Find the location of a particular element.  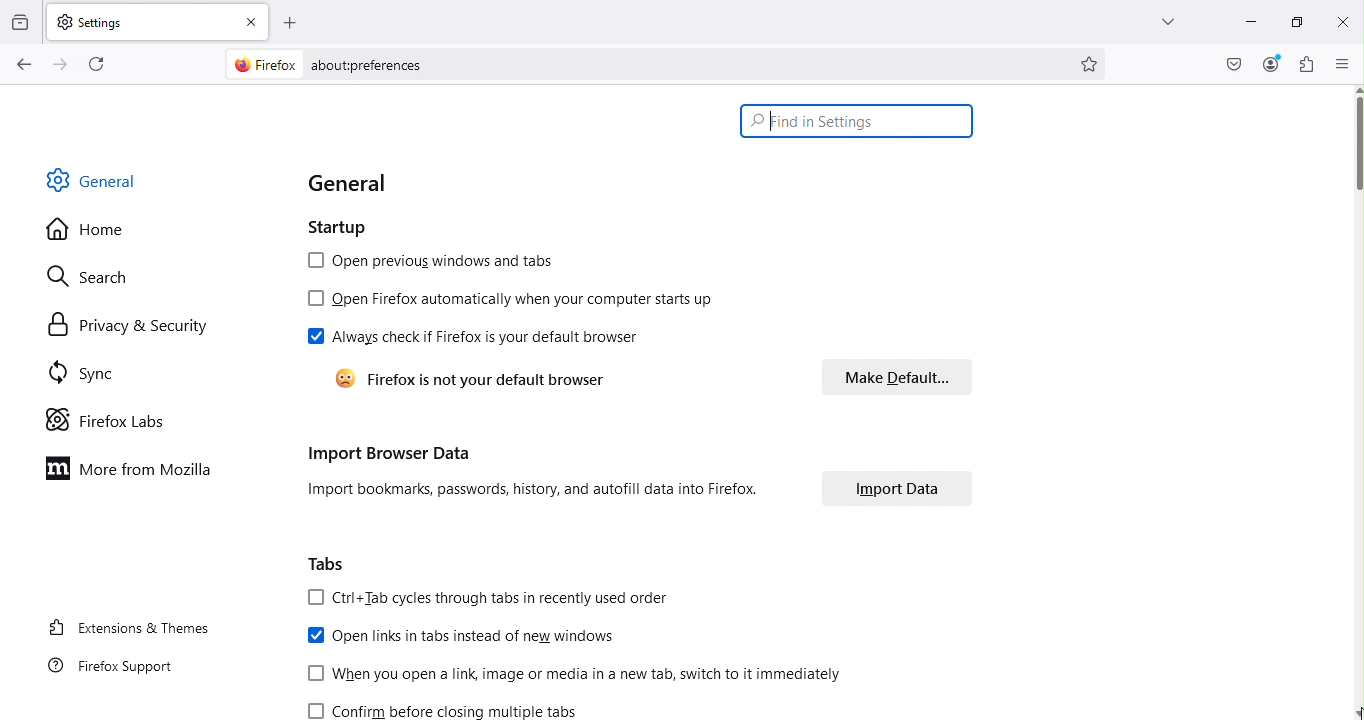

 Firefox is not your default browser is located at coordinates (488, 380).